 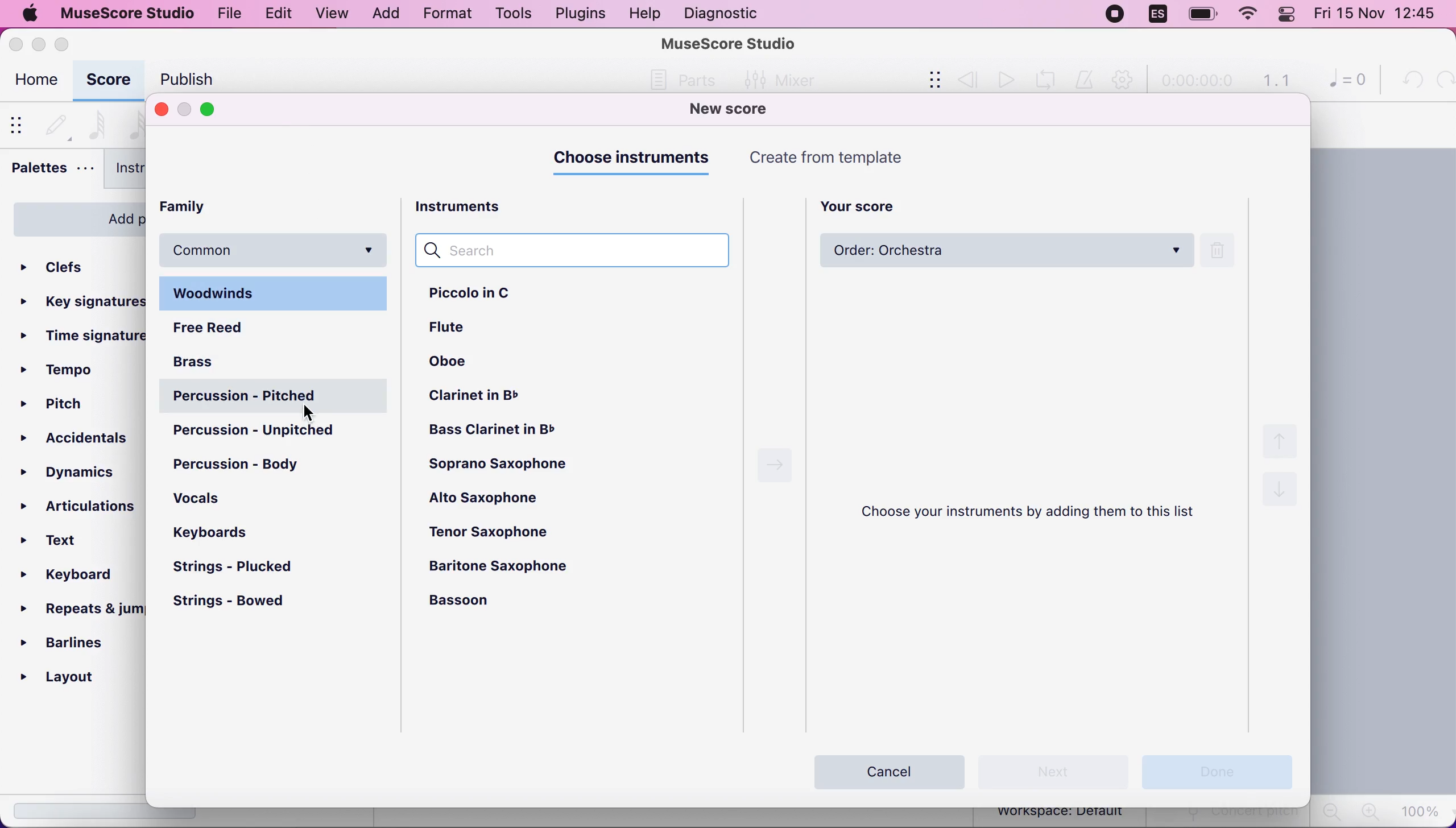 I want to click on search, so click(x=578, y=252).